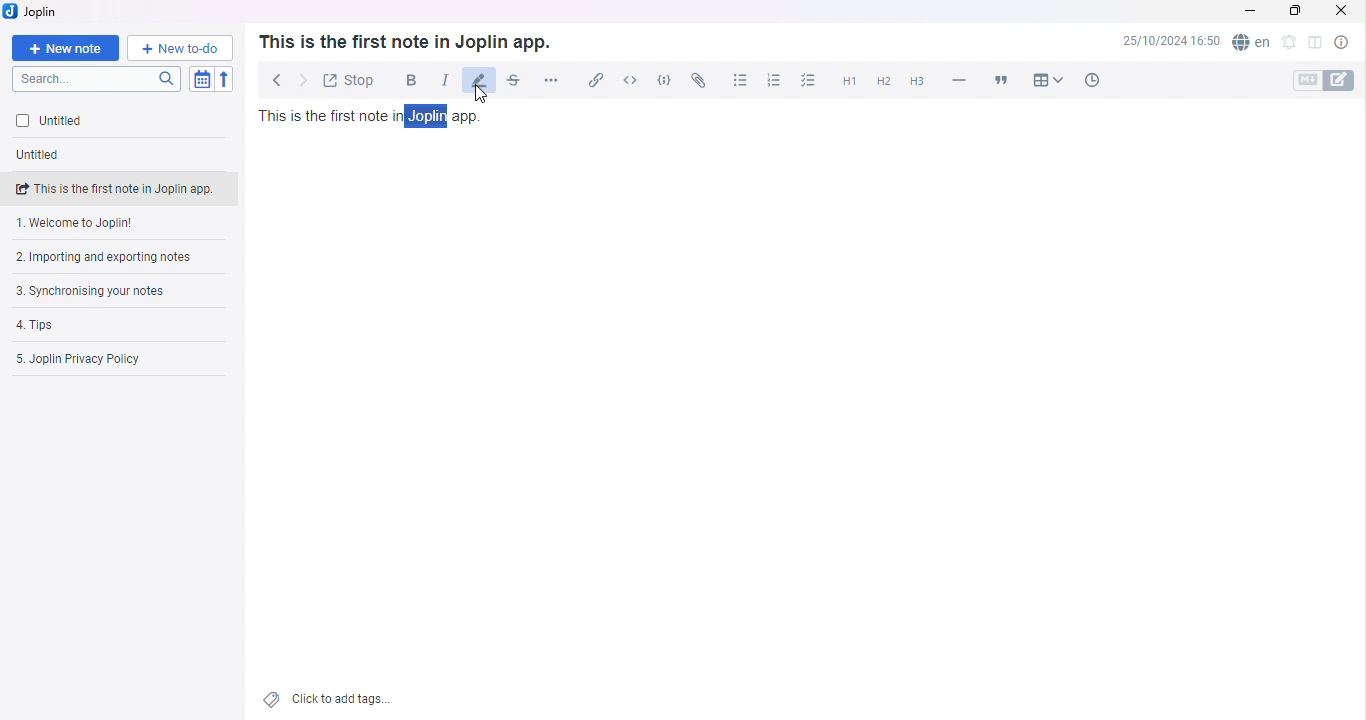 The image size is (1366, 720). What do you see at coordinates (771, 80) in the screenshot?
I see `Numbered list` at bounding box center [771, 80].